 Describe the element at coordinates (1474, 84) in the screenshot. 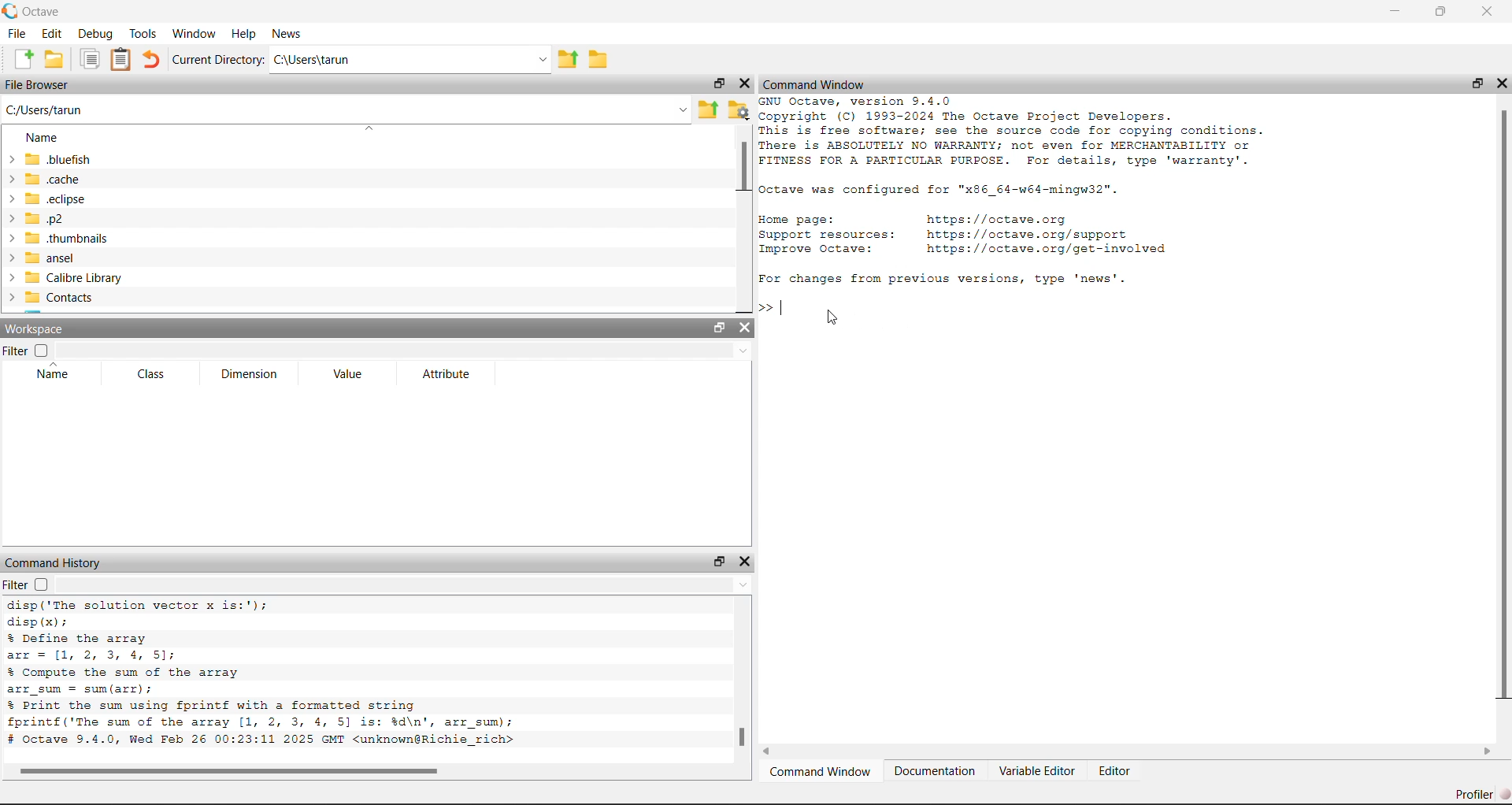

I see `Maximize` at that location.